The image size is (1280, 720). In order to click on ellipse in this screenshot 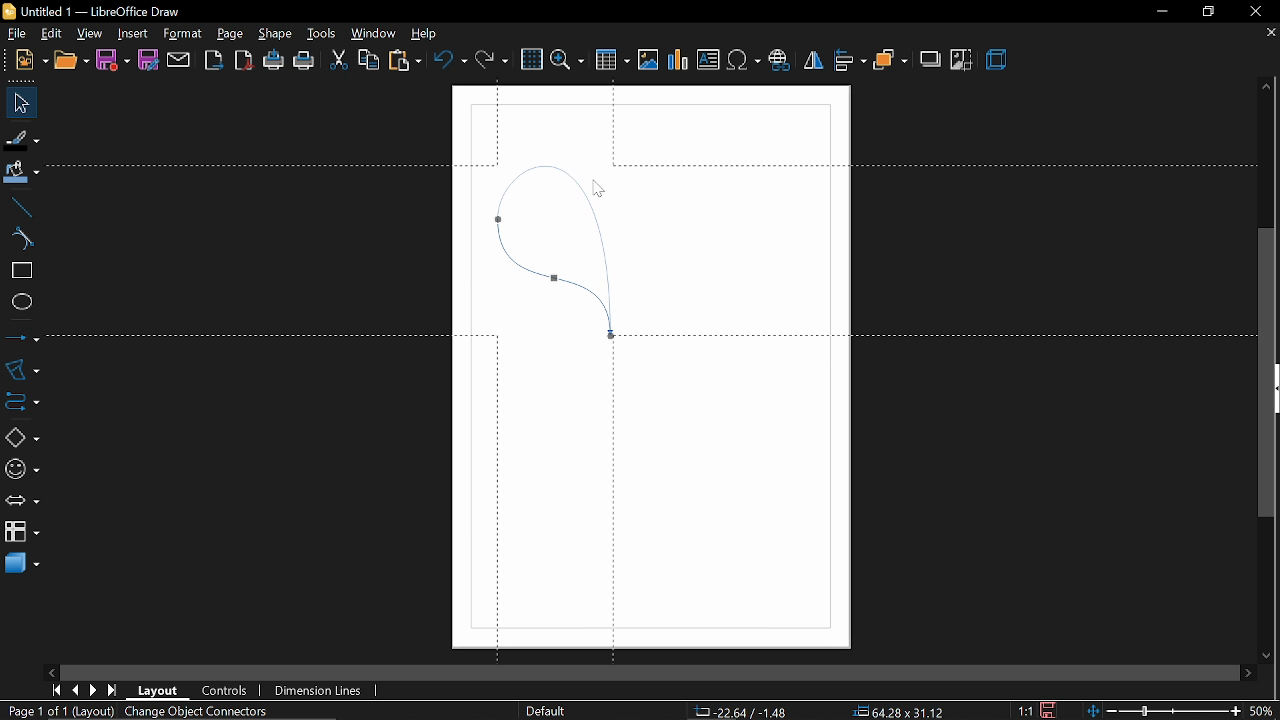, I will do `click(18, 300)`.